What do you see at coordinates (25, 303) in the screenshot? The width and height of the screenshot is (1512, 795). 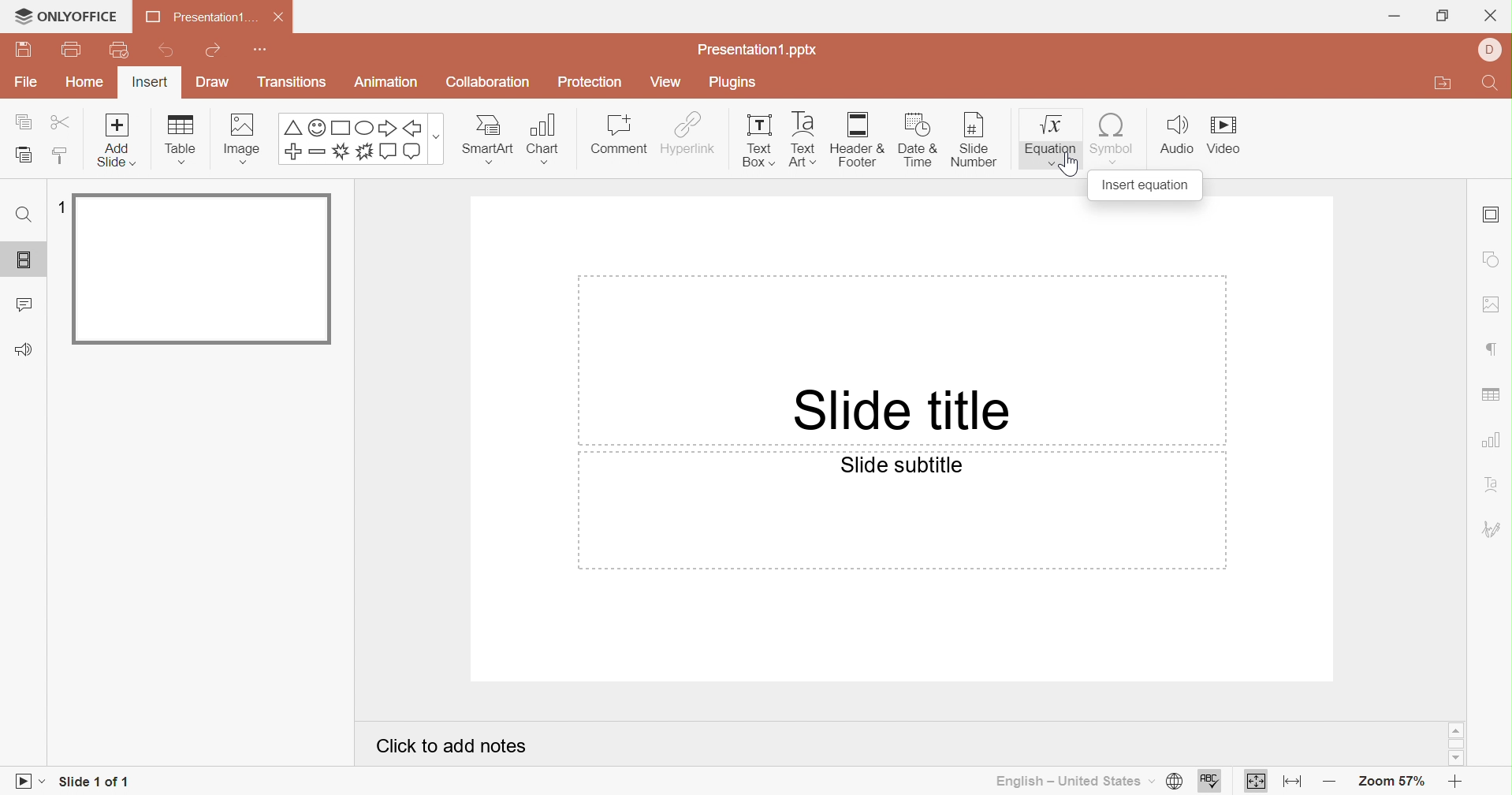 I see `Comments` at bounding box center [25, 303].